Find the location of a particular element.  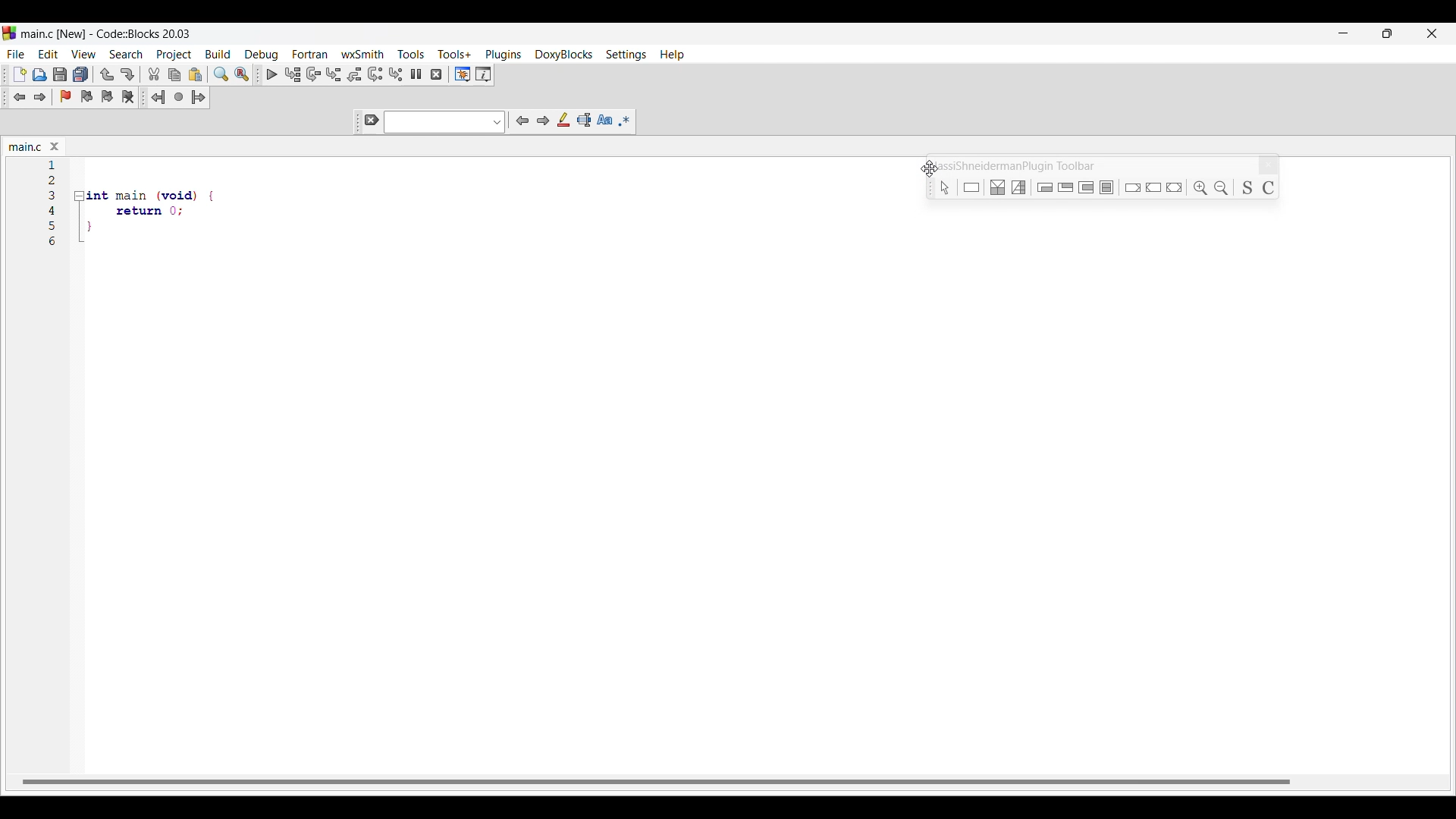

Paste is located at coordinates (196, 74).